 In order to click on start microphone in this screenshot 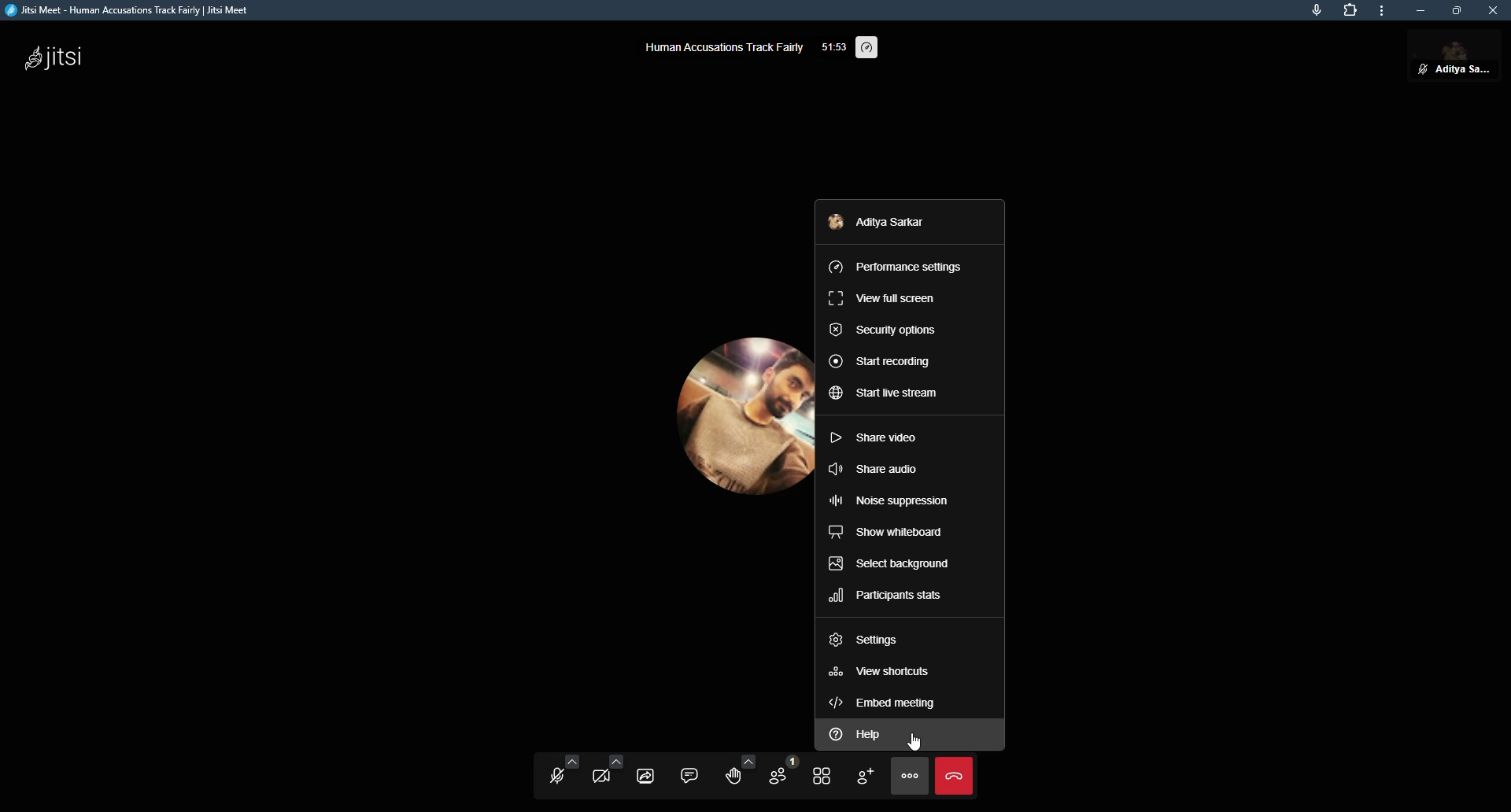, I will do `click(555, 777)`.